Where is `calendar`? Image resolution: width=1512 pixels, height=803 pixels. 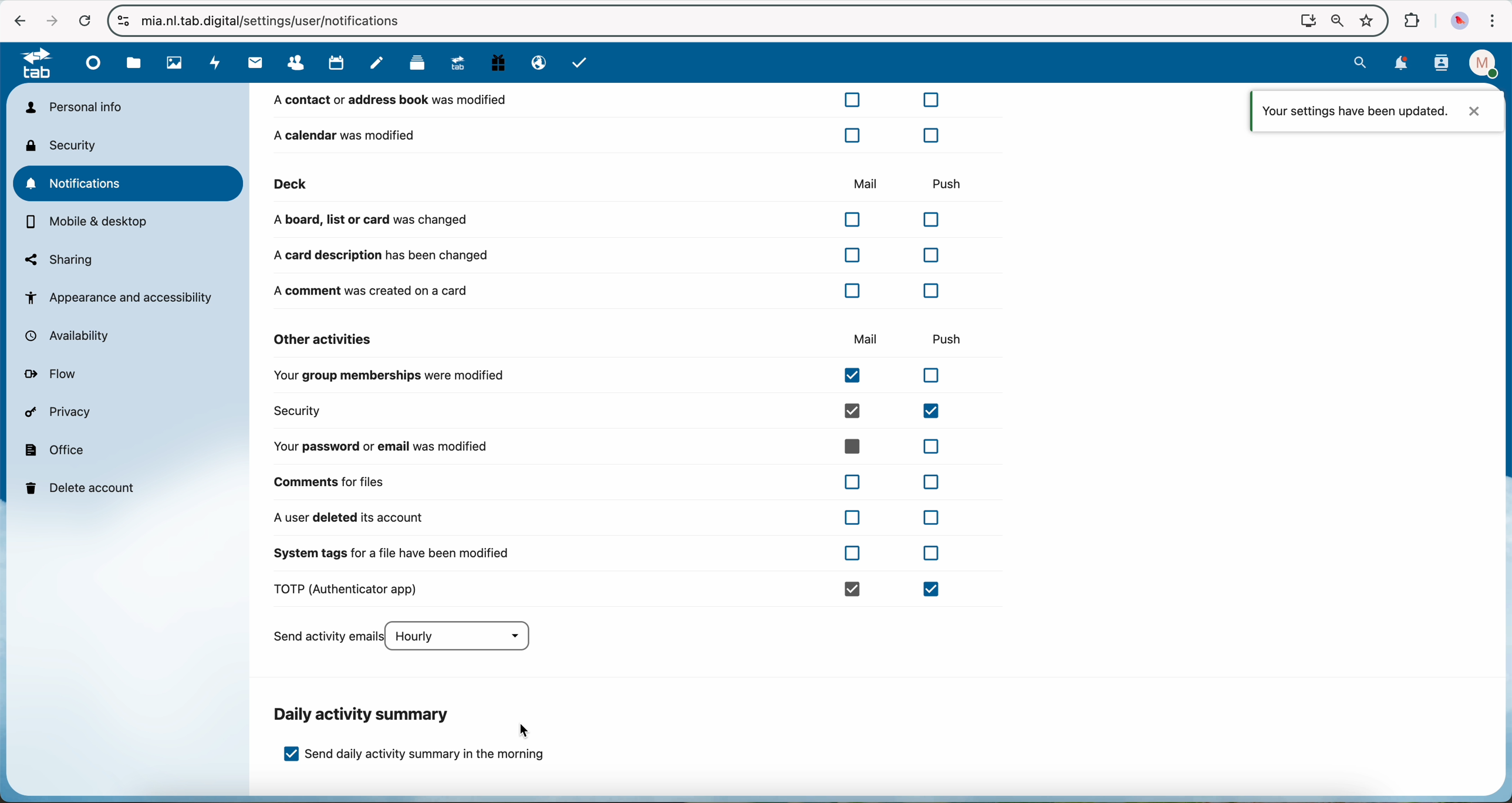 calendar is located at coordinates (338, 63).